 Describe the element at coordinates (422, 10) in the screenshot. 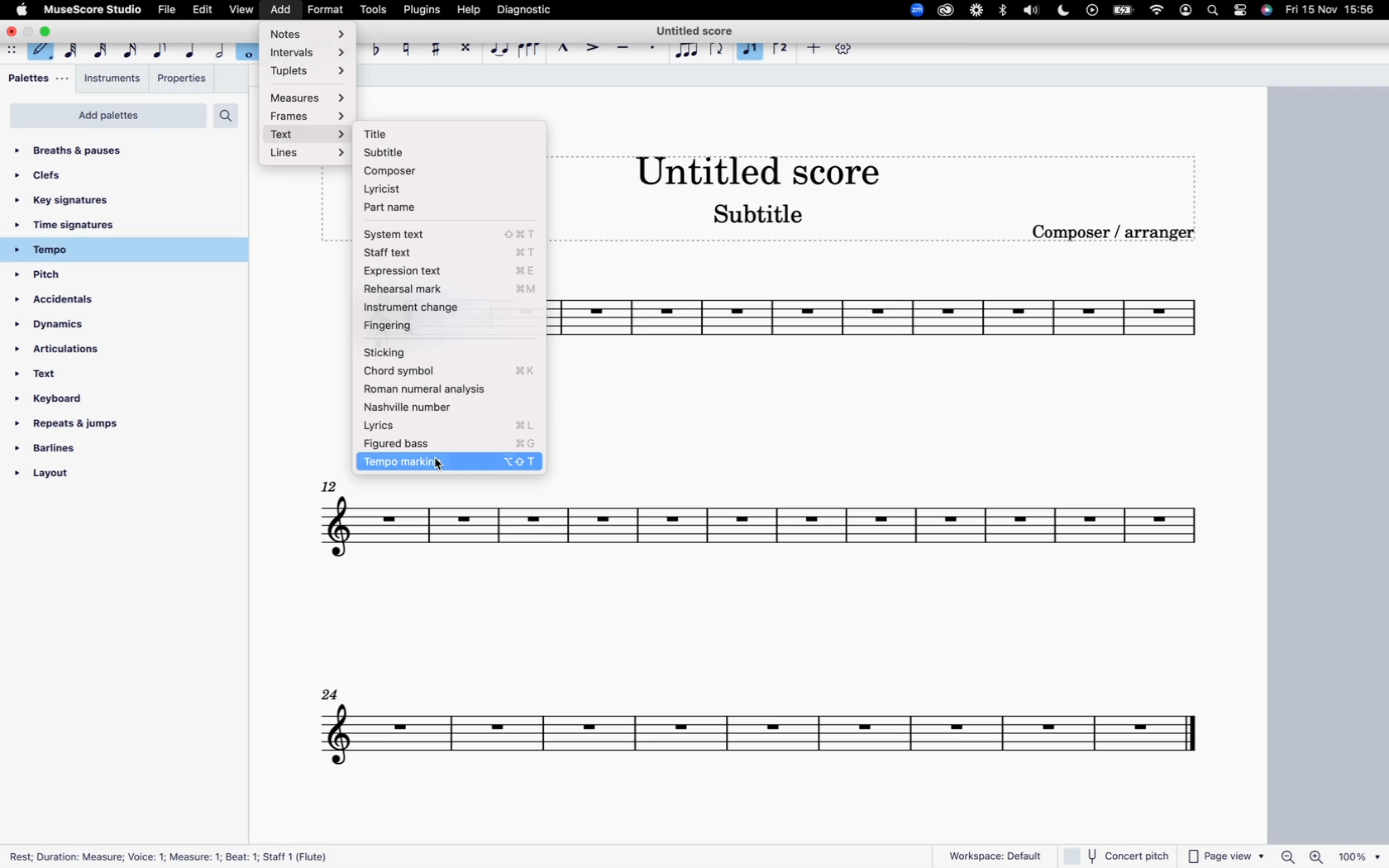

I see `plugins` at that location.